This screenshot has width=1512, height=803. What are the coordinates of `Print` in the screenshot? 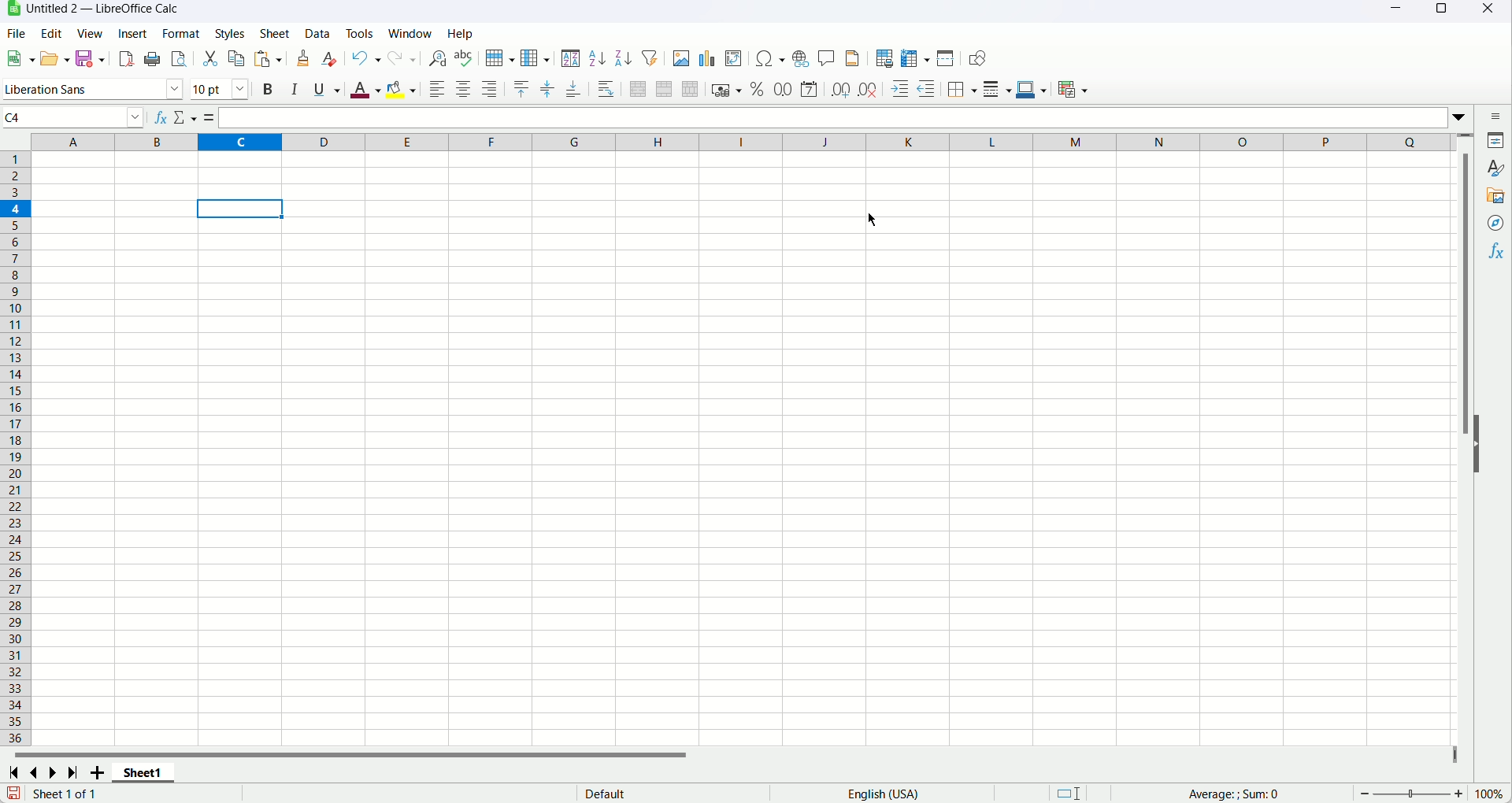 It's located at (155, 59).